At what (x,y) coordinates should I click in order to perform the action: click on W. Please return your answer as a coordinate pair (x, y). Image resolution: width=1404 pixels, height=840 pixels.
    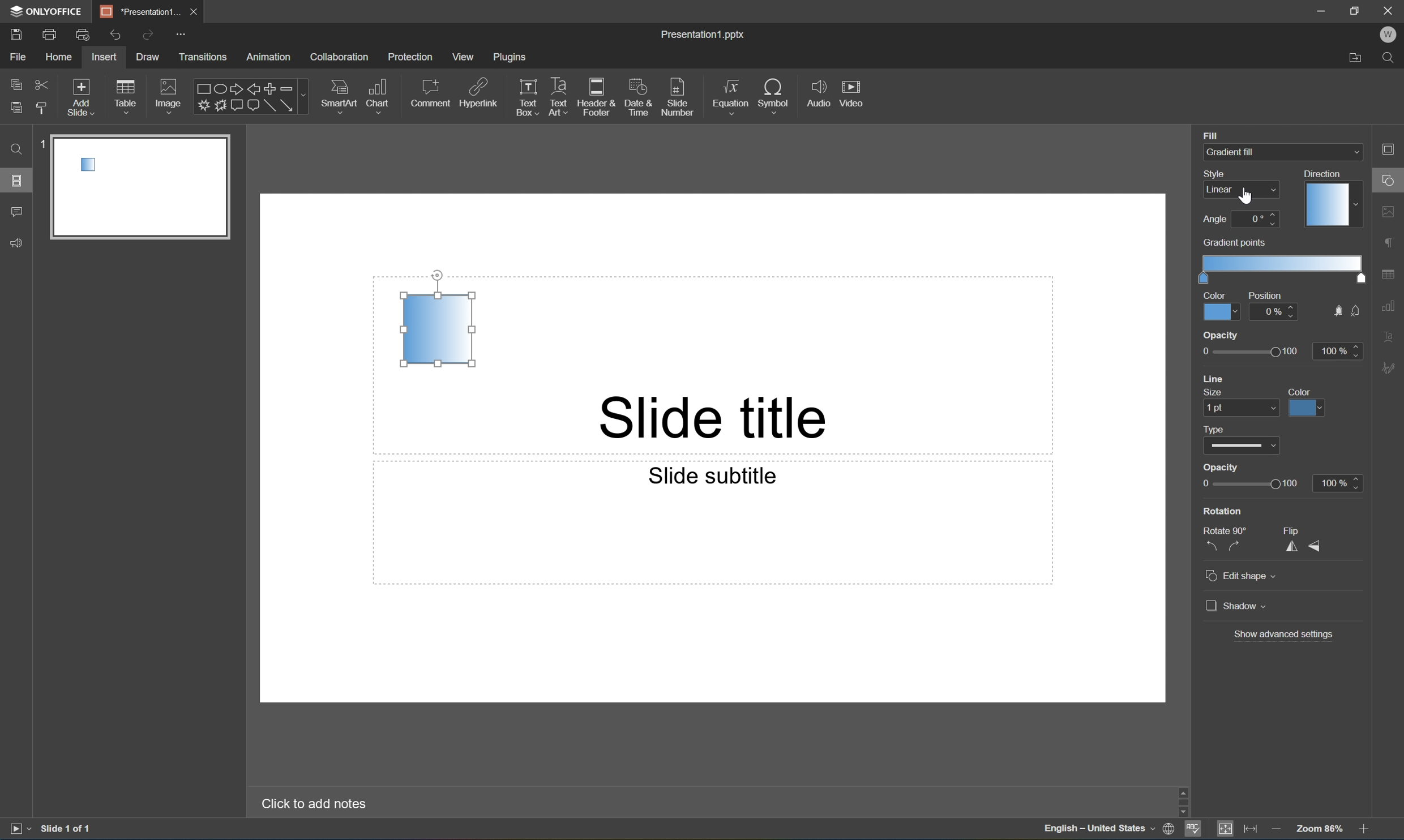
    Looking at the image, I should click on (1388, 35).